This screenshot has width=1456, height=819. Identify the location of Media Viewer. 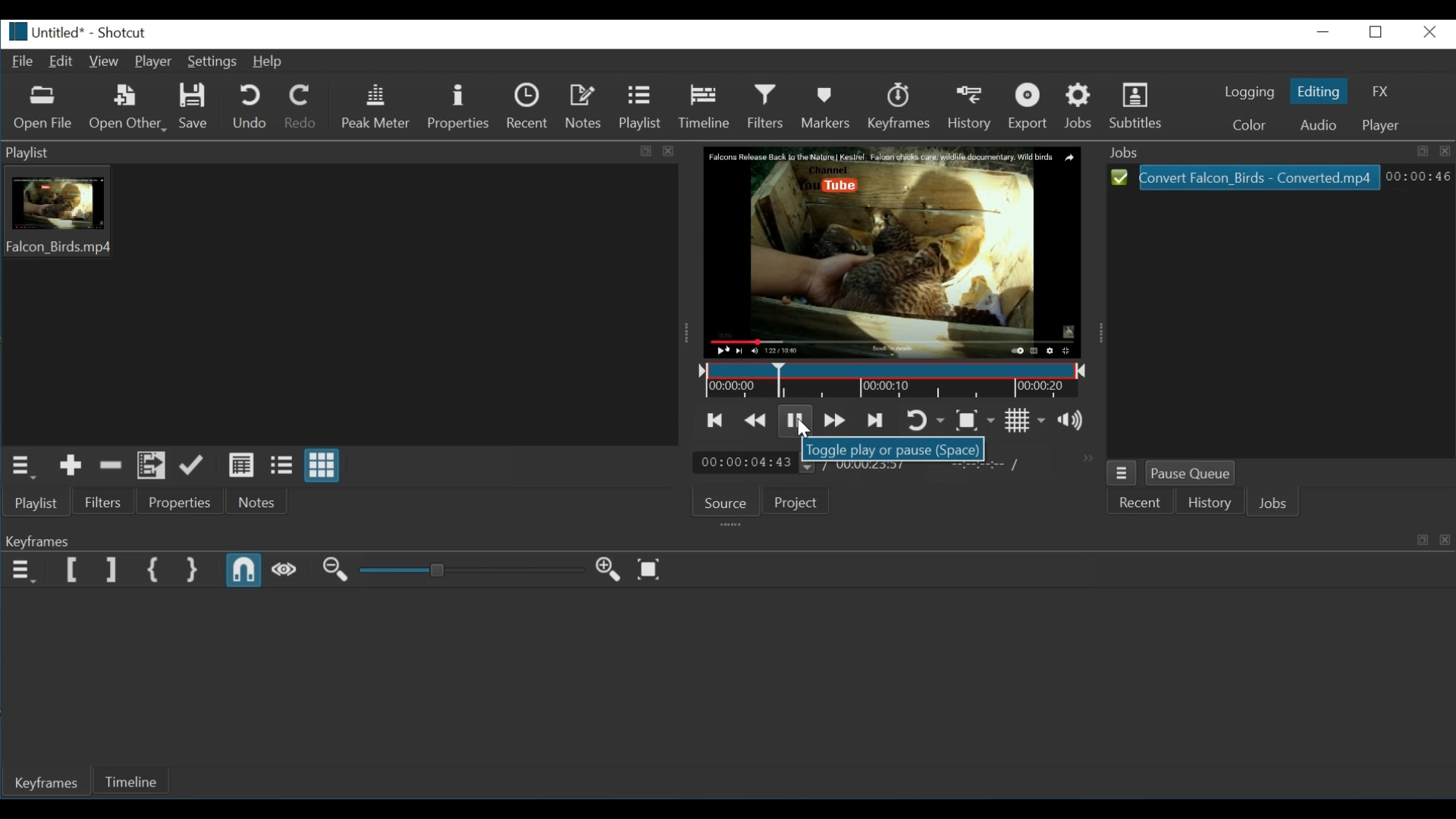
(893, 251).